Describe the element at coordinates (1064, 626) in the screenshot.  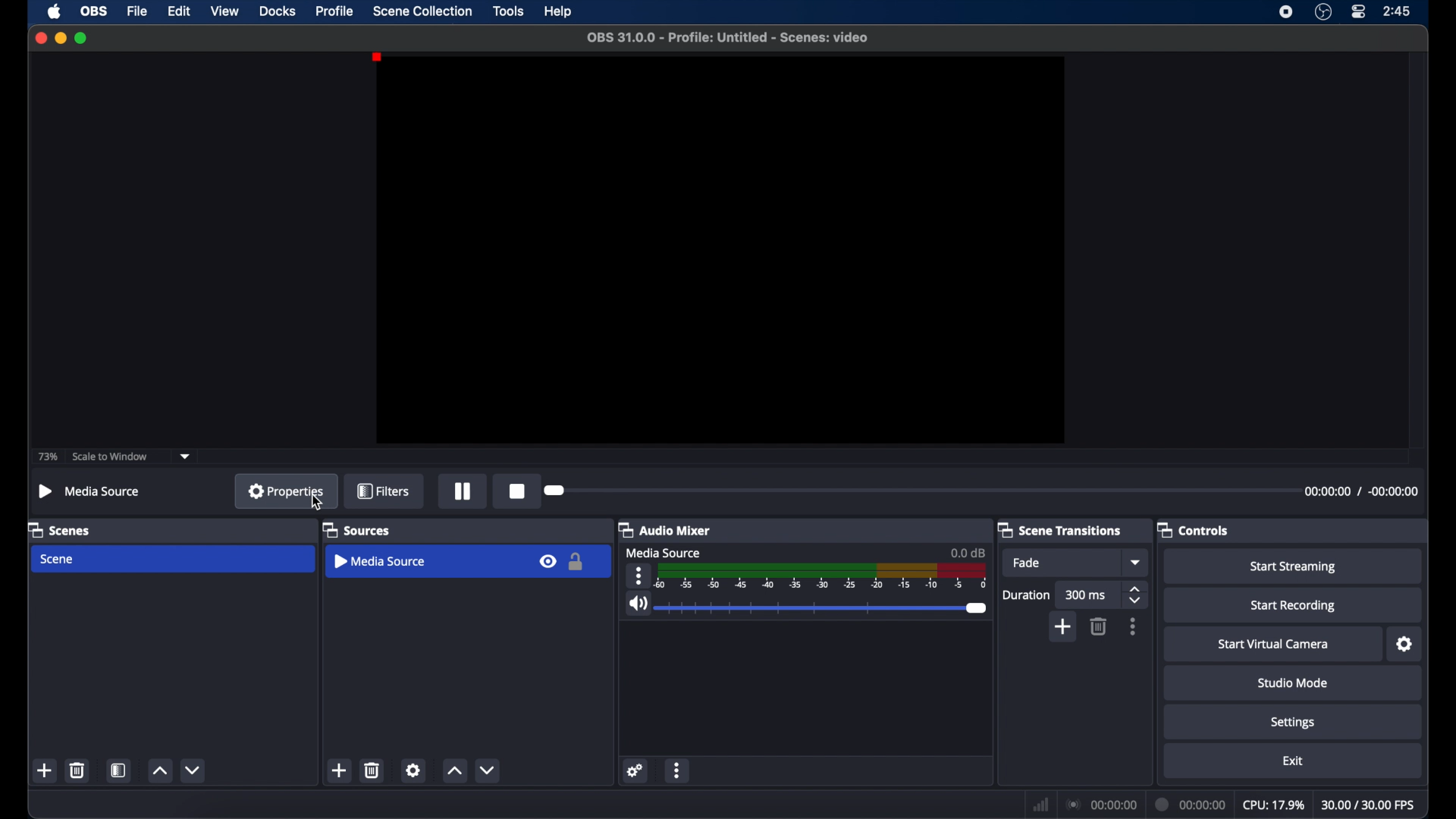
I see `add` at that location.